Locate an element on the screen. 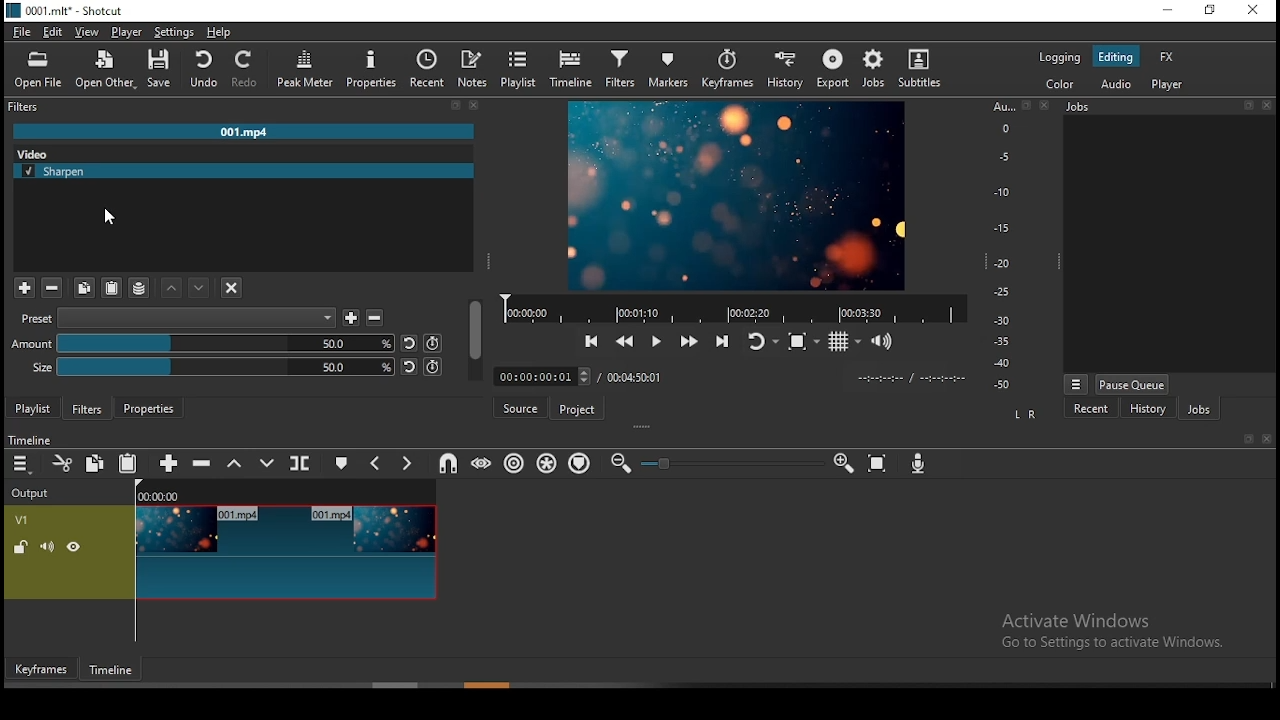 This screenshot has height=720, width=1280. keyframes is located at coordinates (727, 67).